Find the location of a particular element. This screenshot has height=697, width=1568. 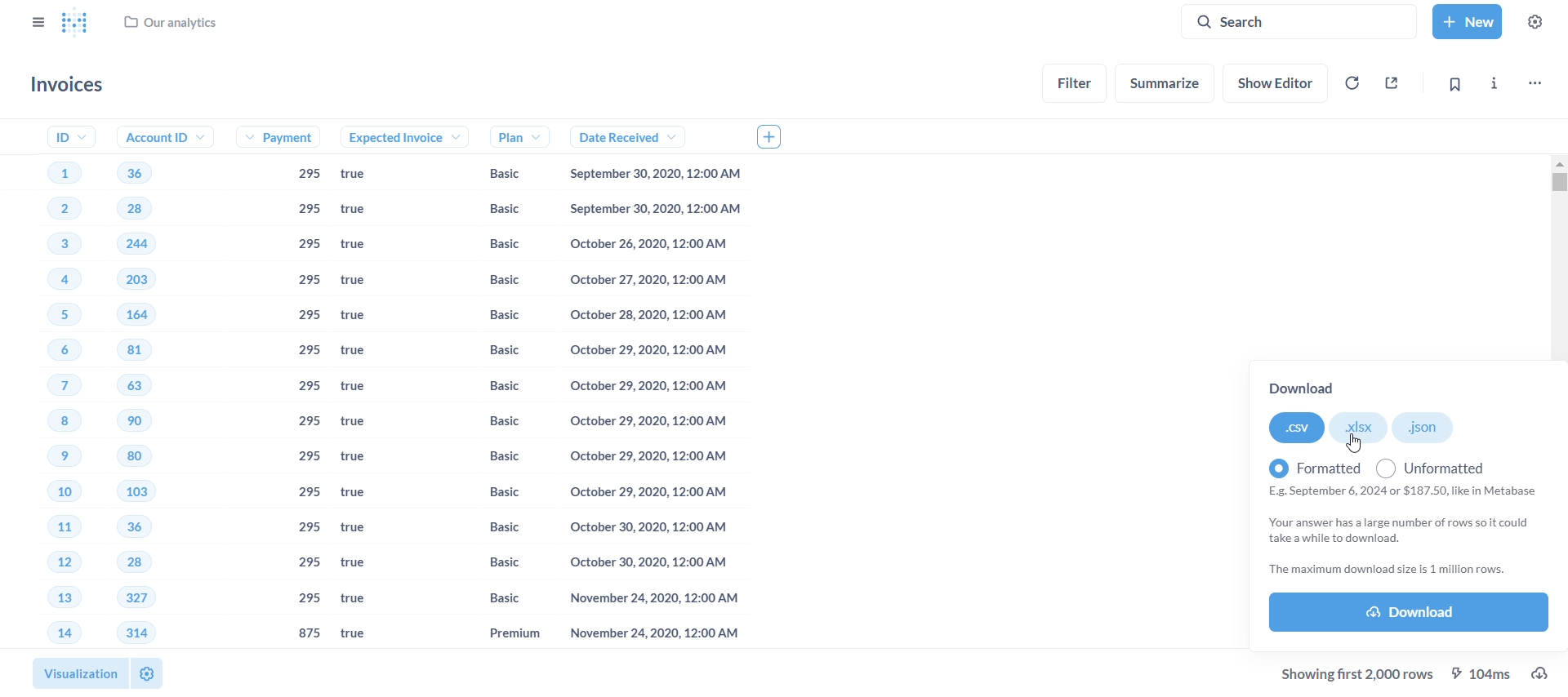

radio button unchecked is located at coordinates (1386, 467).